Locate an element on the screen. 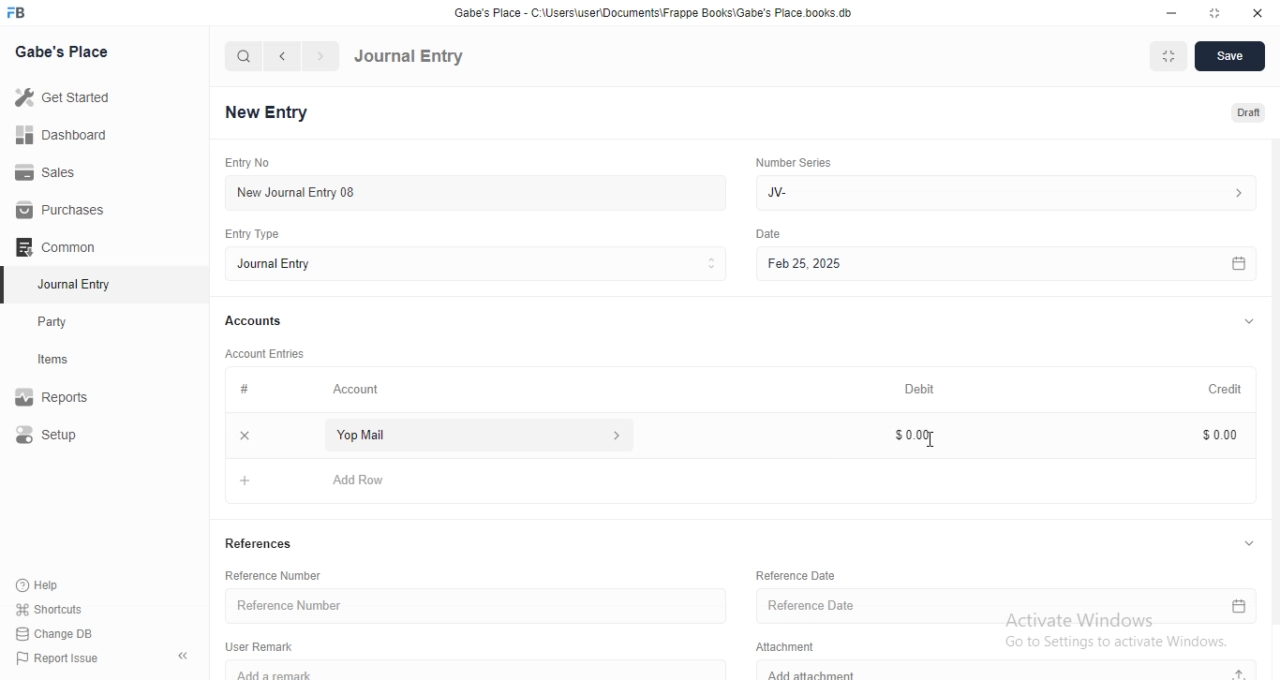 The image size is (1280, 680). search is located at coordinates (244, 57).